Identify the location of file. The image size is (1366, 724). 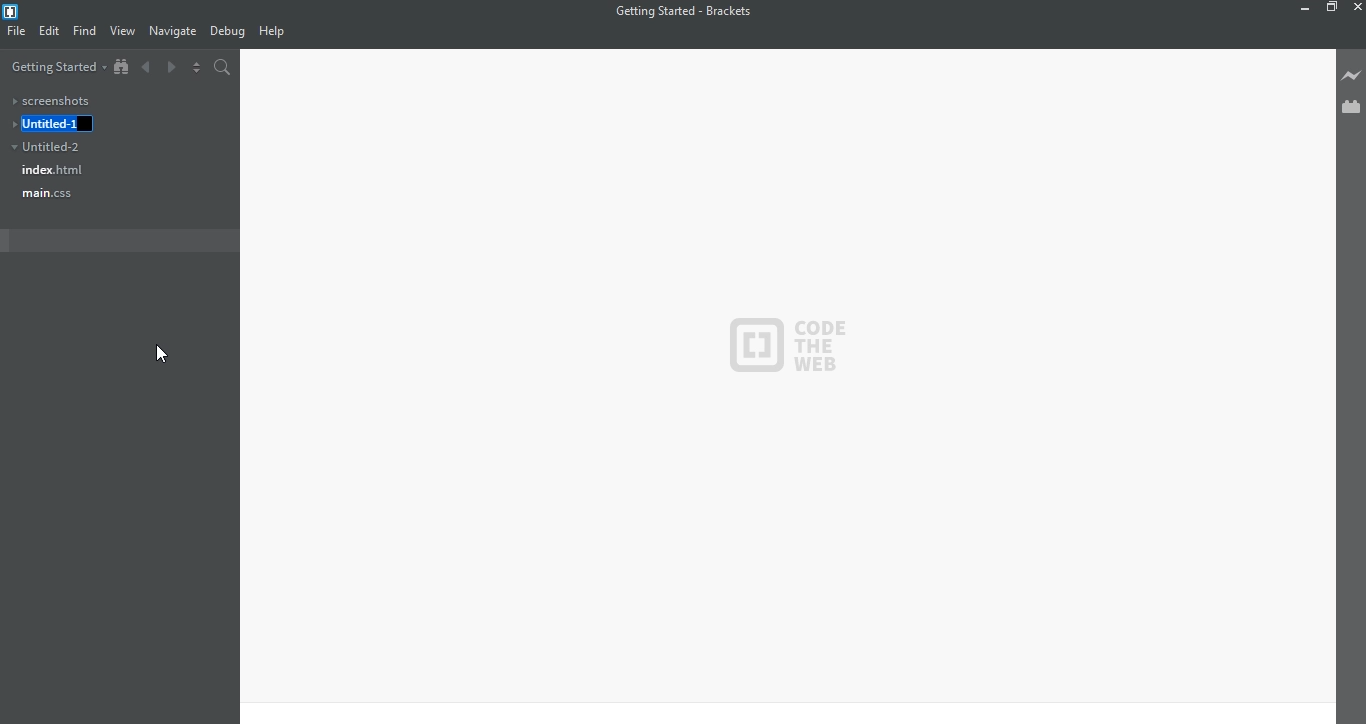
(17, 32).